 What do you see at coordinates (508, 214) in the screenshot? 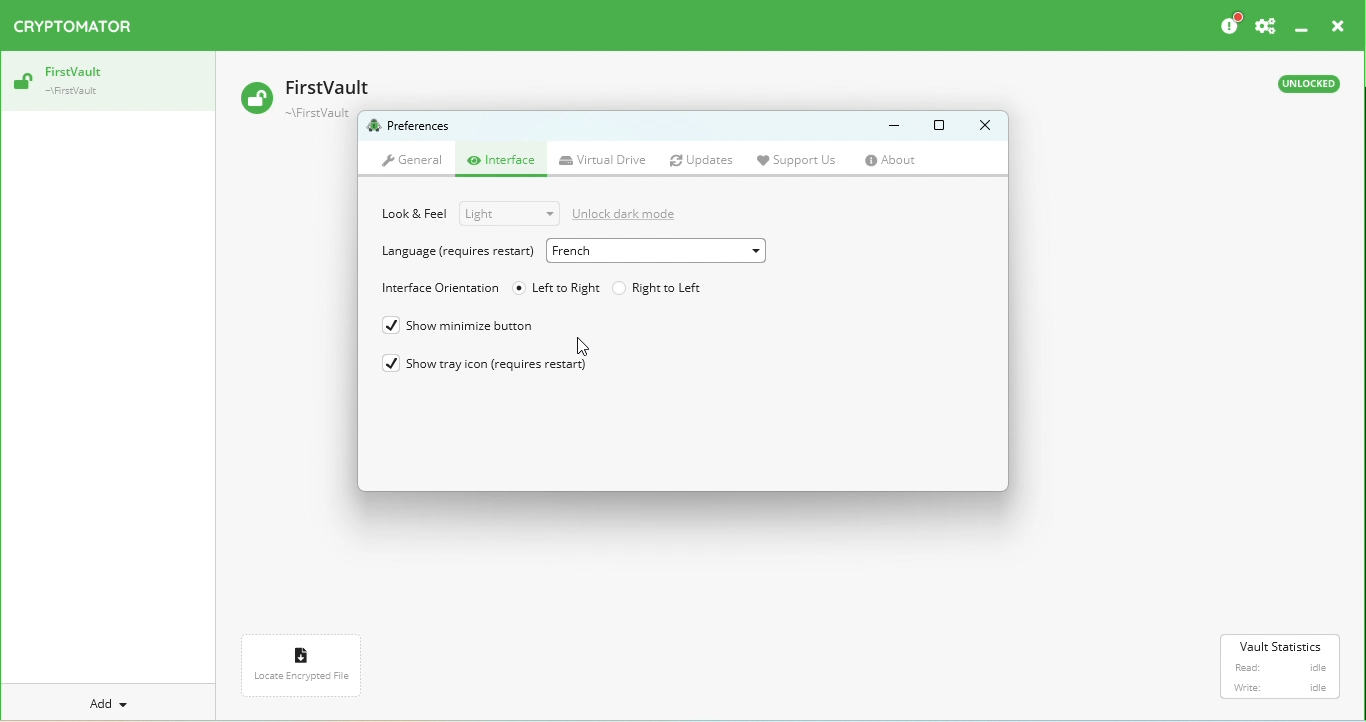
I see `Drop down menu` at bounding box center [508, 214].